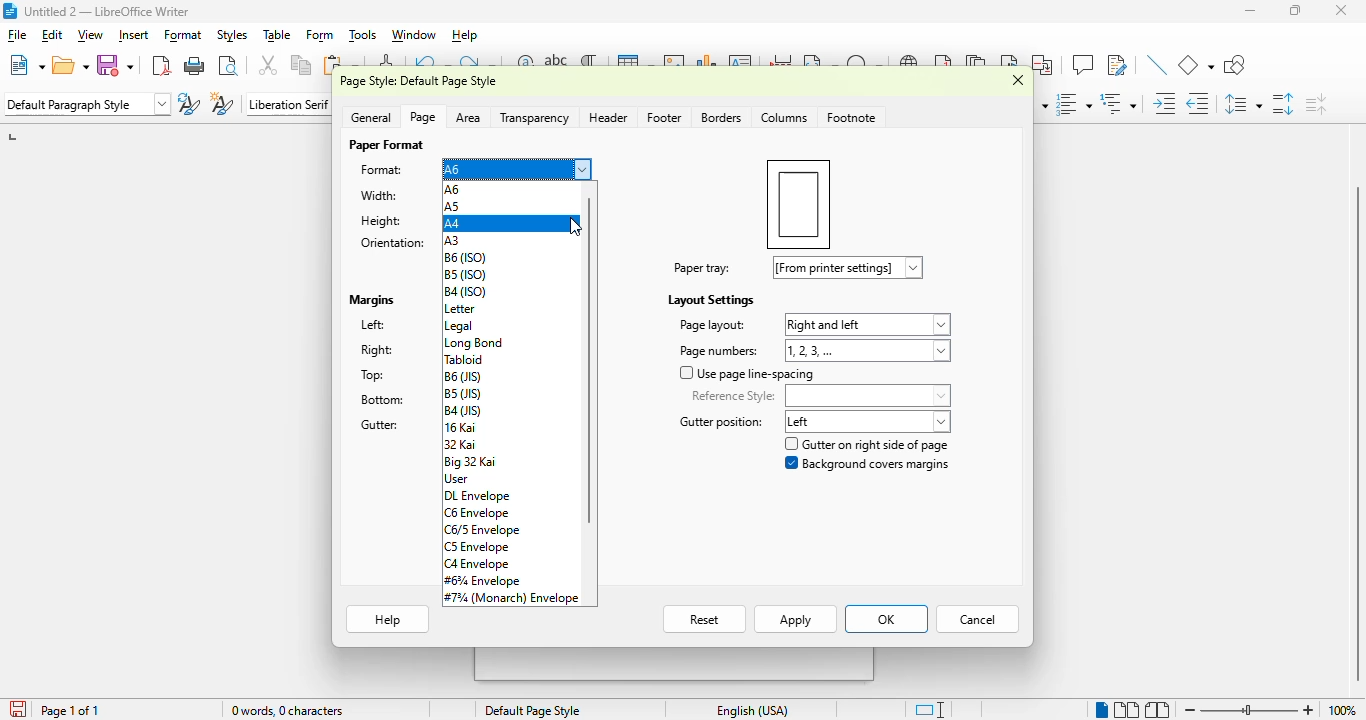  I want to click on width: 10.50 cm, so click(386, 195).